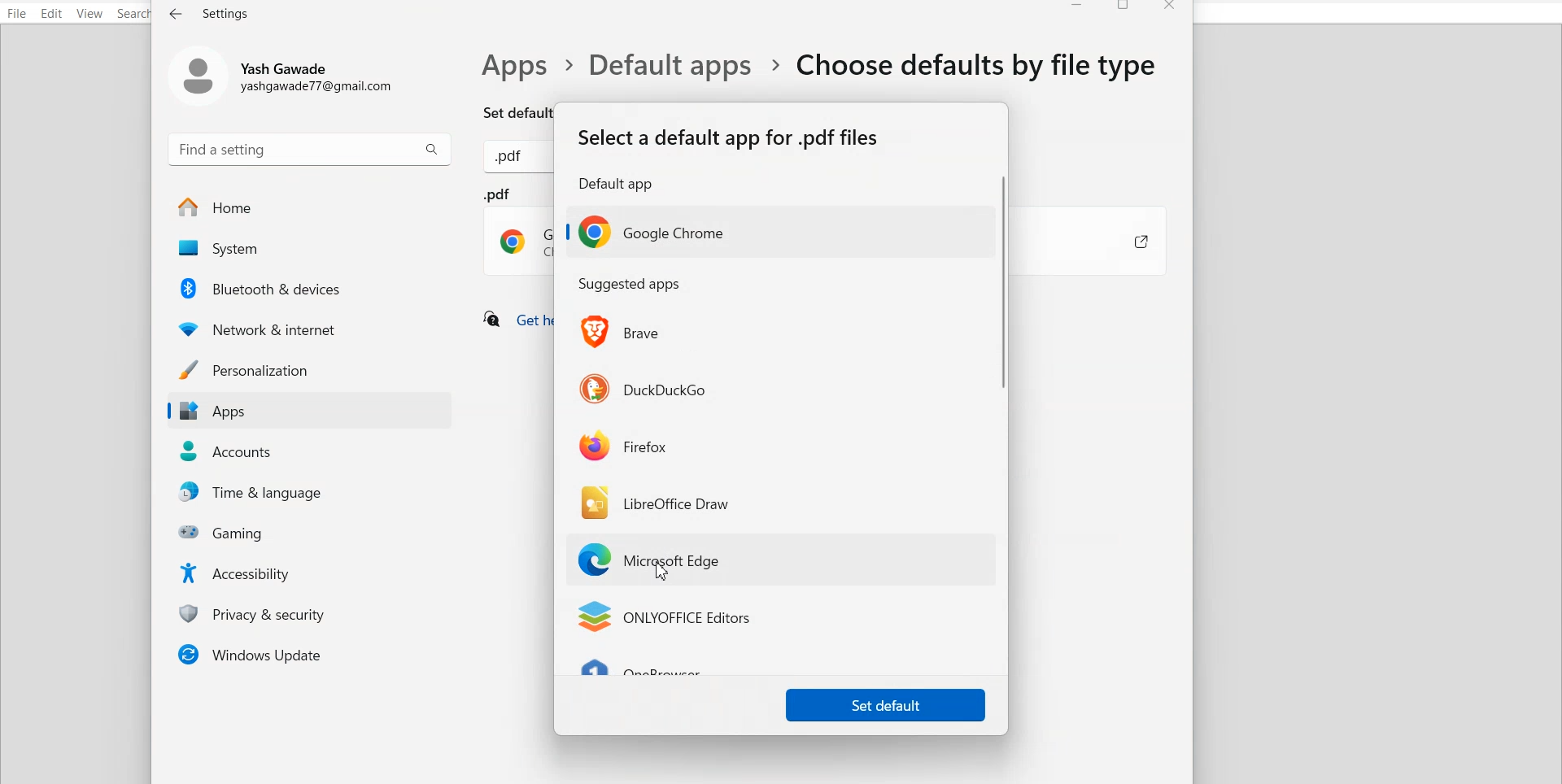  Describe the element at coordinates (311, 327) in the screenshot. I see `Network & Internet` at that location.